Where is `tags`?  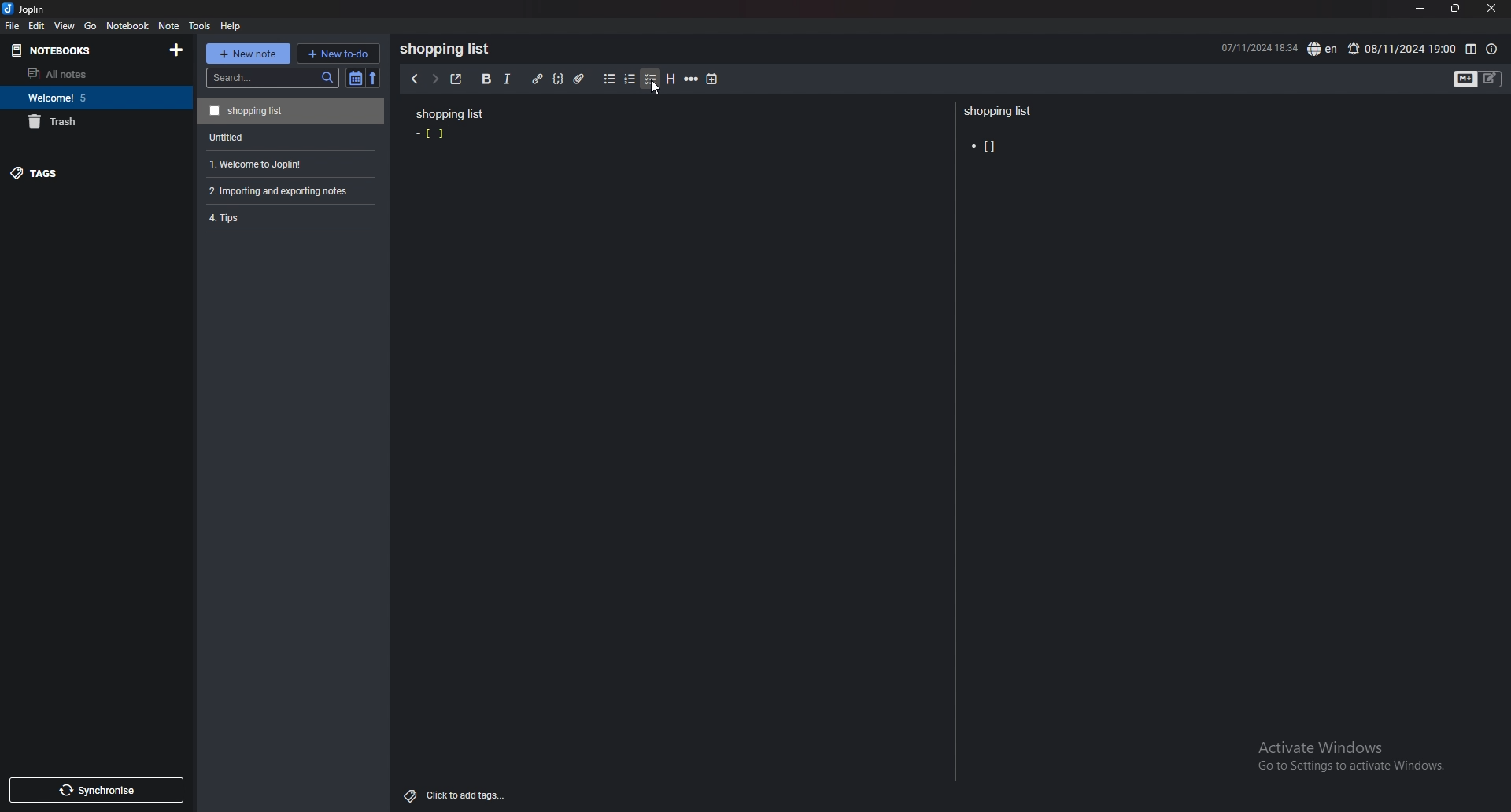
tags is located at coordinates (84, 172).